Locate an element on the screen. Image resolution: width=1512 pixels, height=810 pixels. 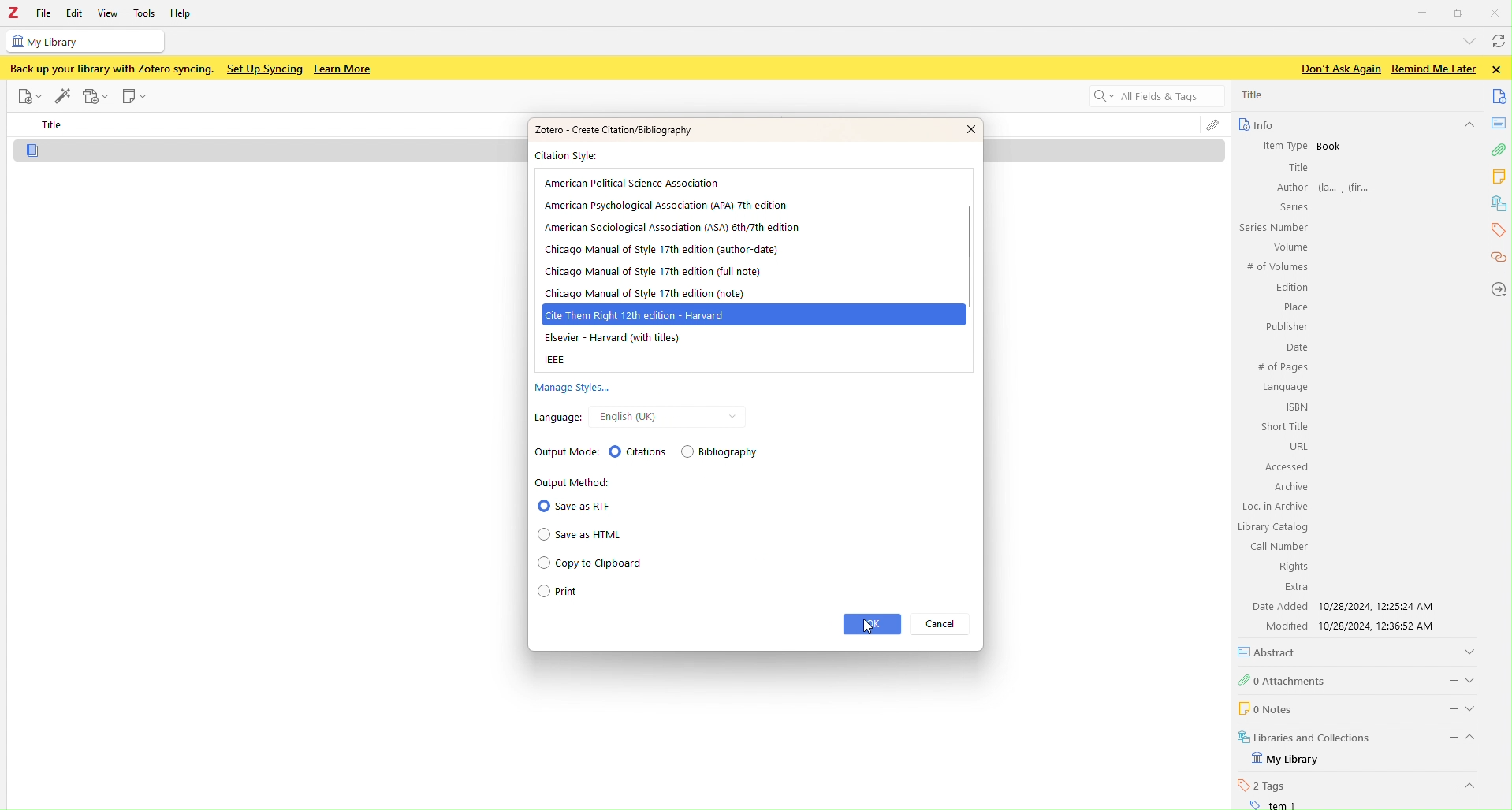
0 Notes is located at coordinates (1264, 708).